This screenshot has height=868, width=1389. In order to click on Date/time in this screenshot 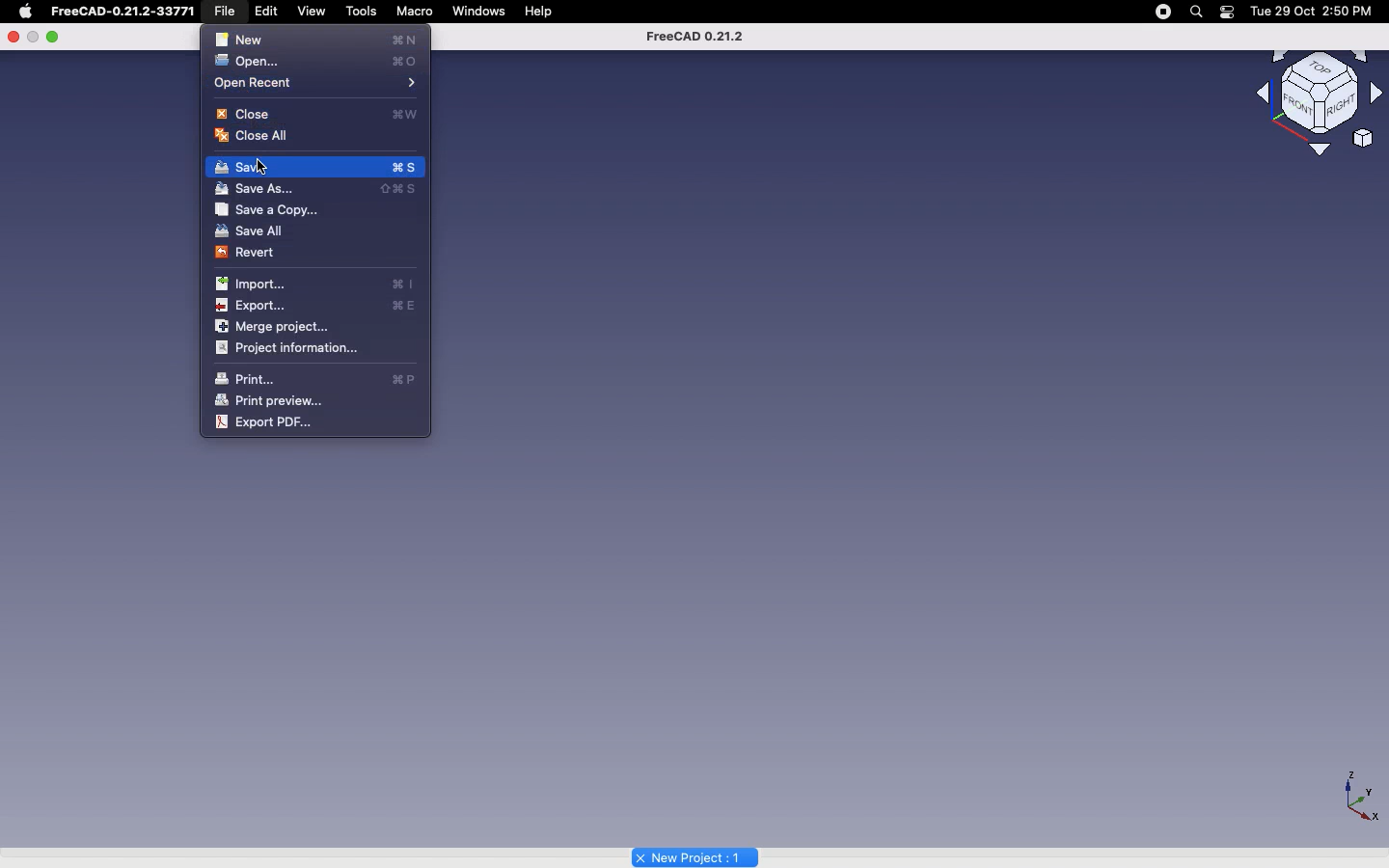, I will do `click(1315, 11)`.